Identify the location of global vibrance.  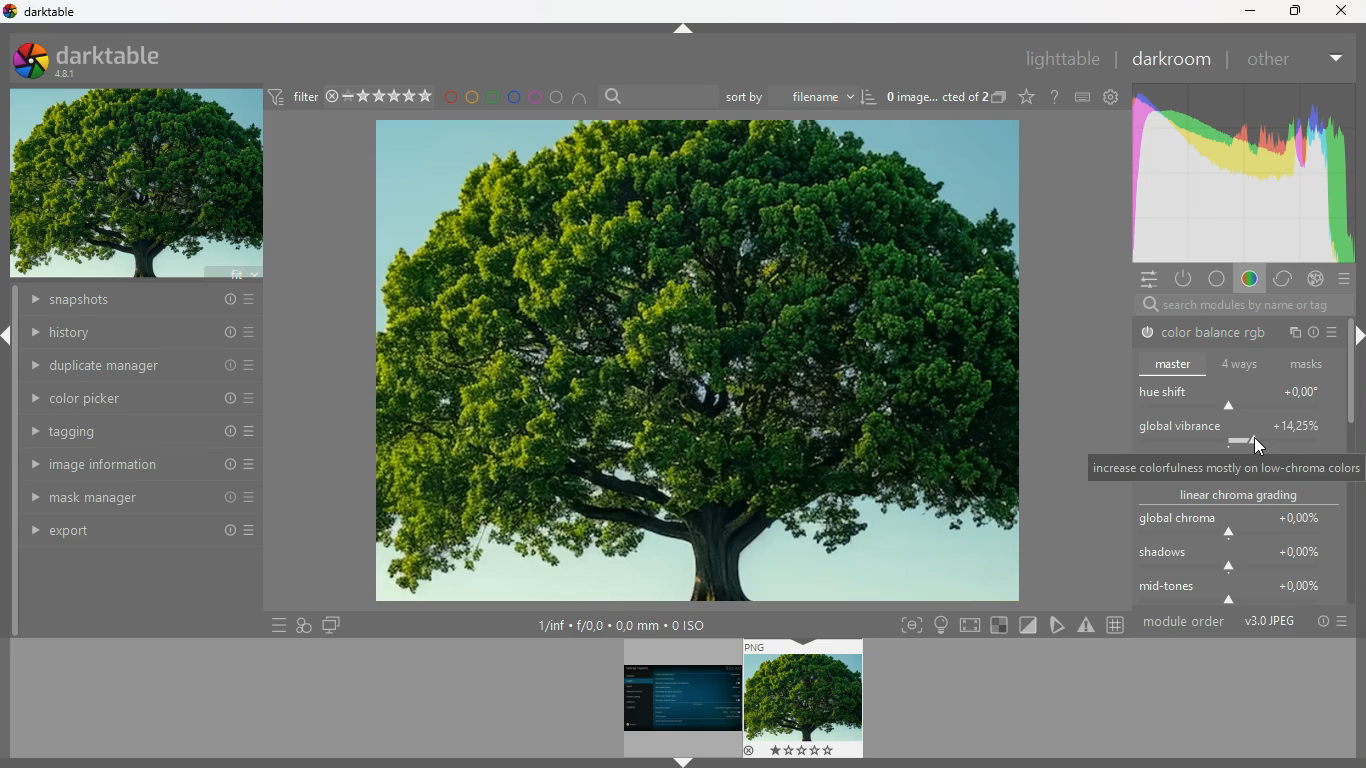
(1233, 432).